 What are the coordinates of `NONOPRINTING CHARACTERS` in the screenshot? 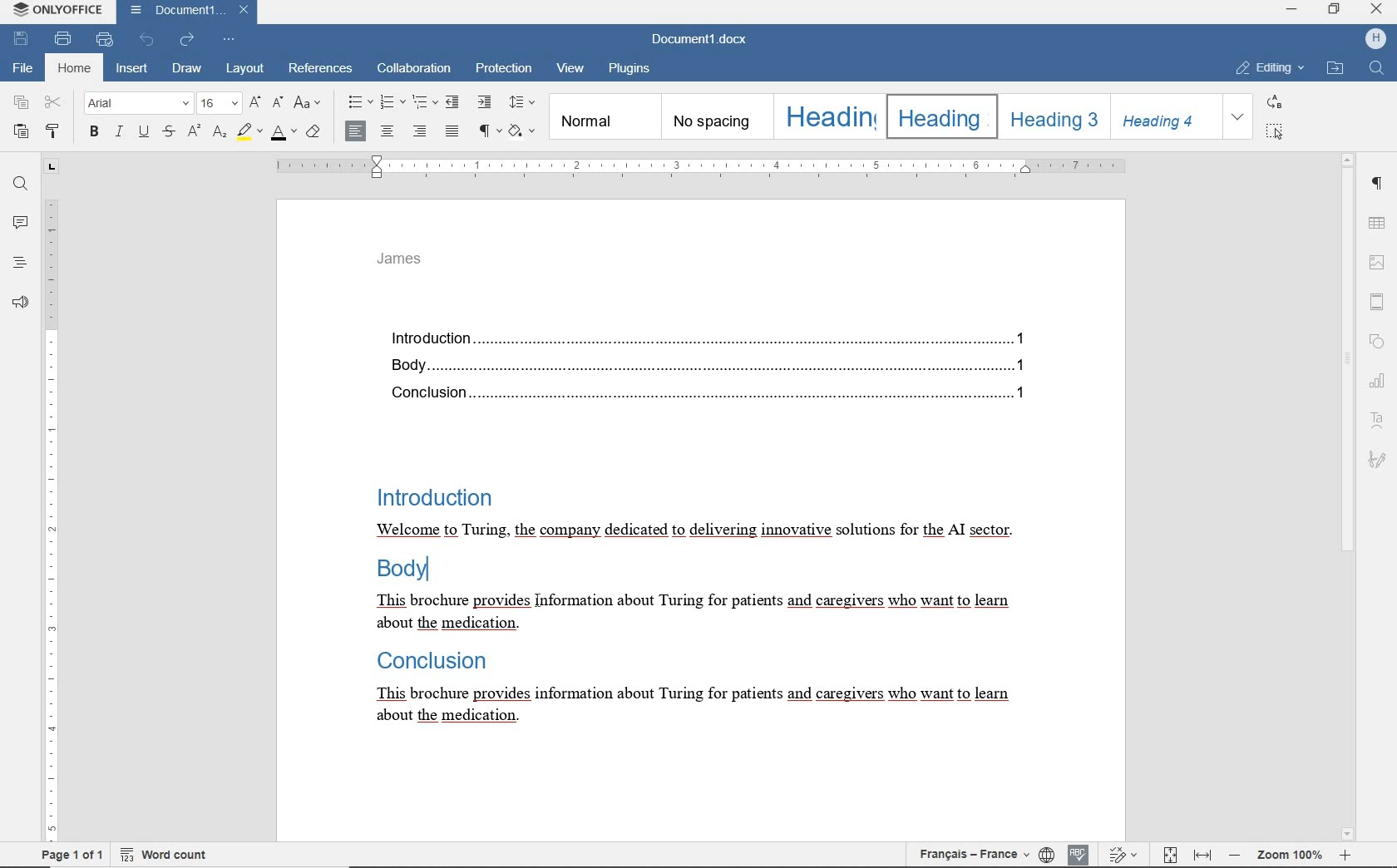 It's located at (491, 132).